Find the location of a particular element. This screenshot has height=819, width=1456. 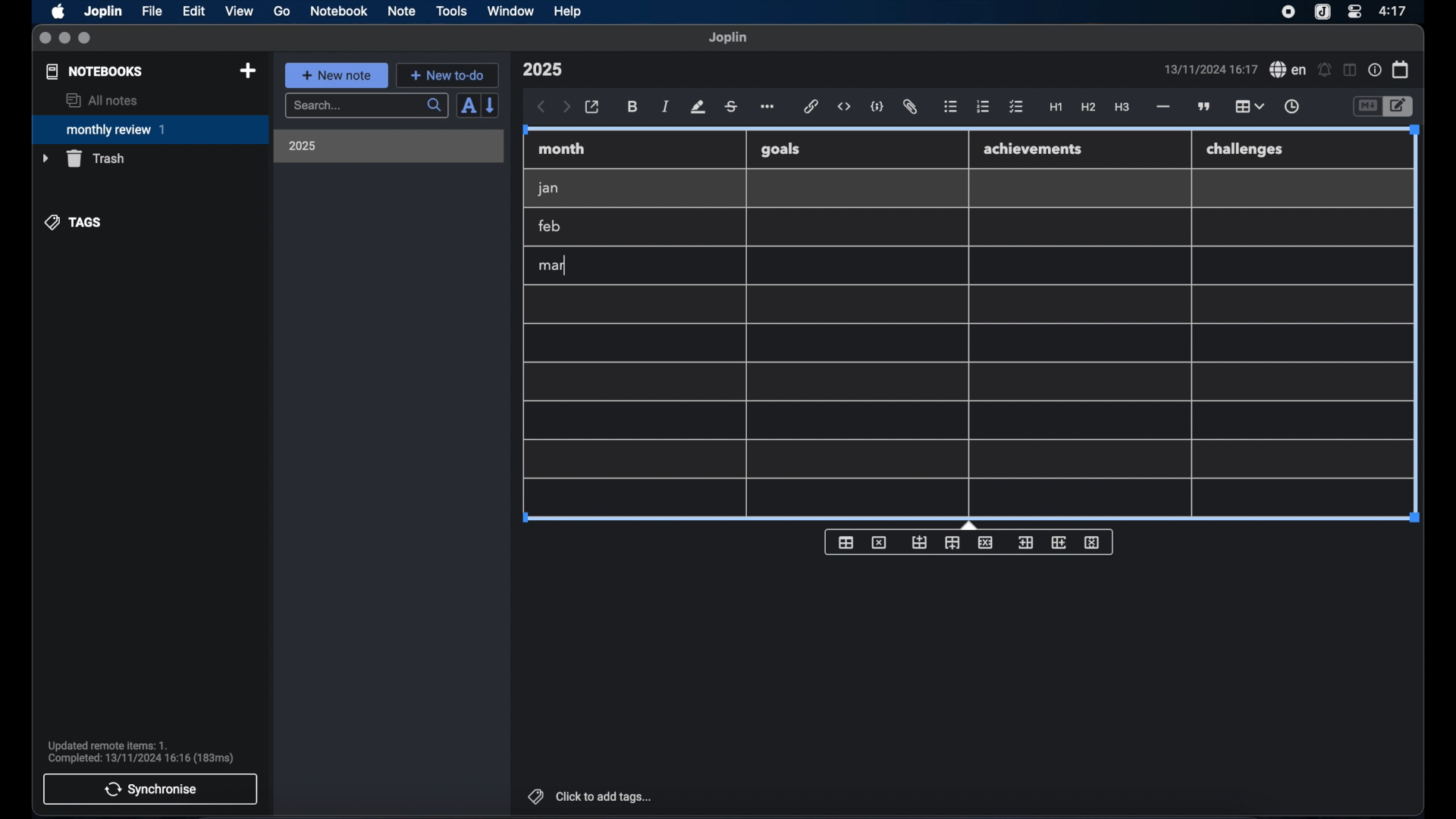

maximize is located at coordinates (86, 39).